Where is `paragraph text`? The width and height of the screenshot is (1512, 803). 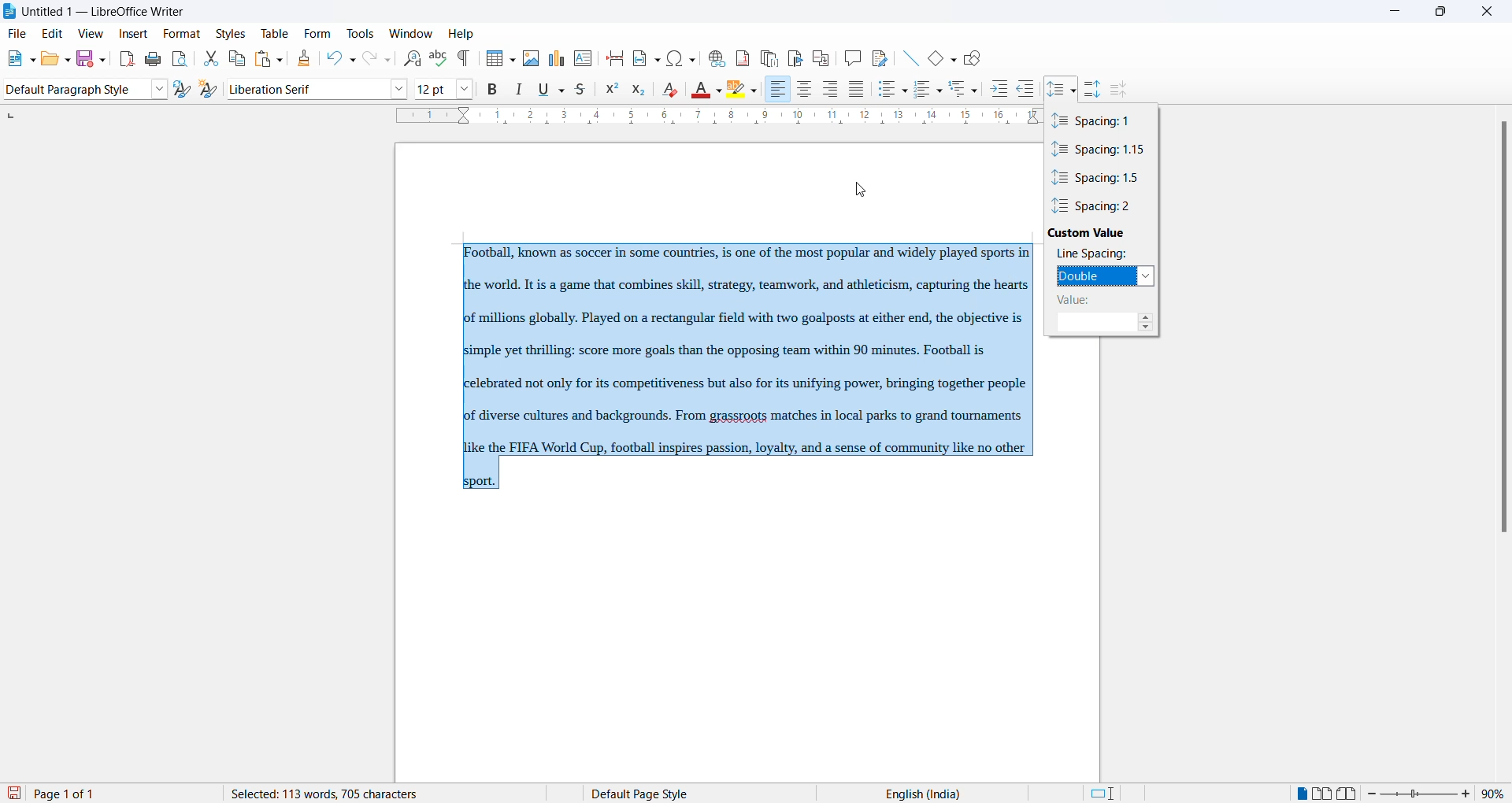
paragraph text is located at coordinates (748, 367).